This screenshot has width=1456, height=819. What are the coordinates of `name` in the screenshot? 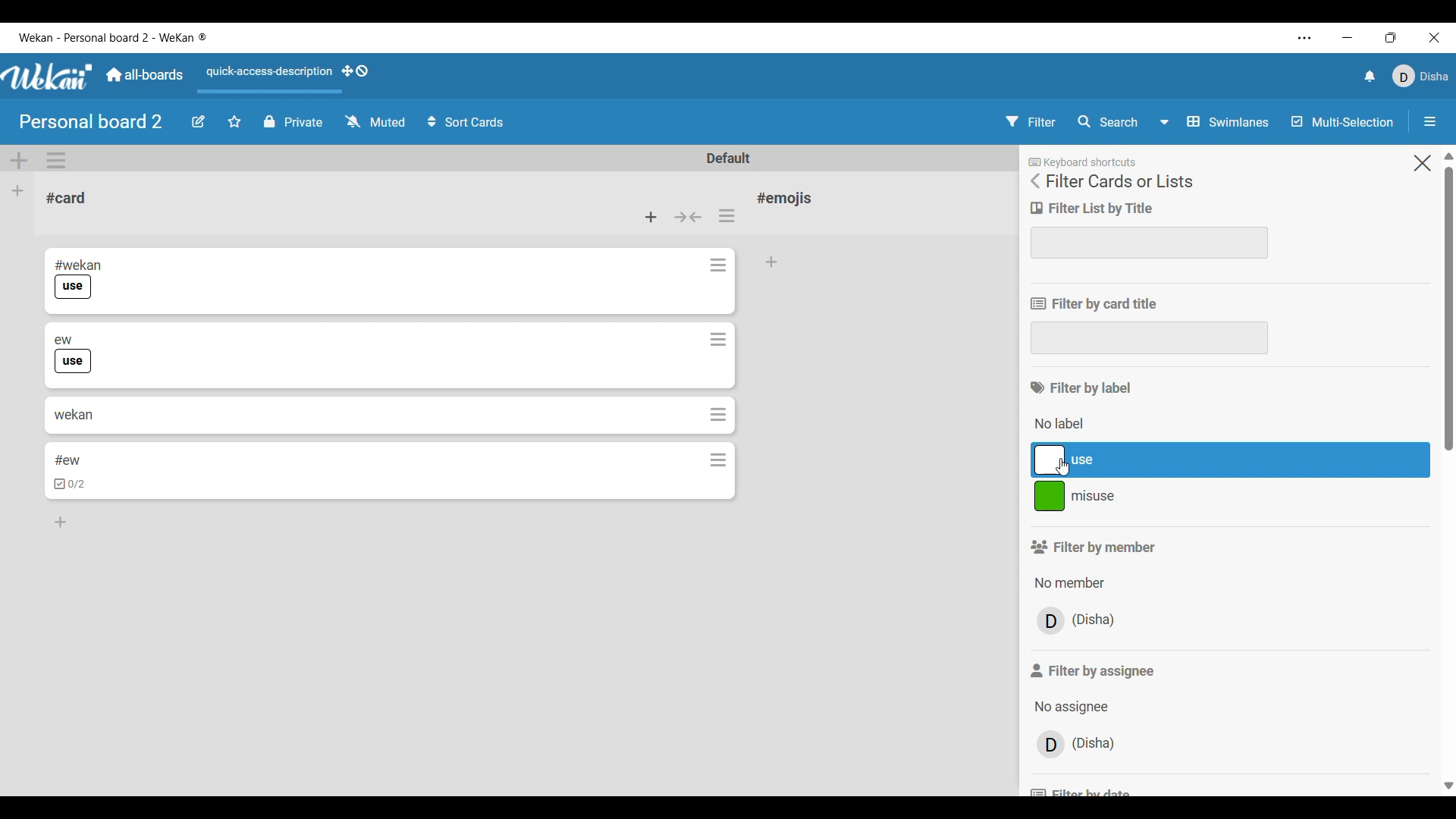 It's located at (1097, 743).